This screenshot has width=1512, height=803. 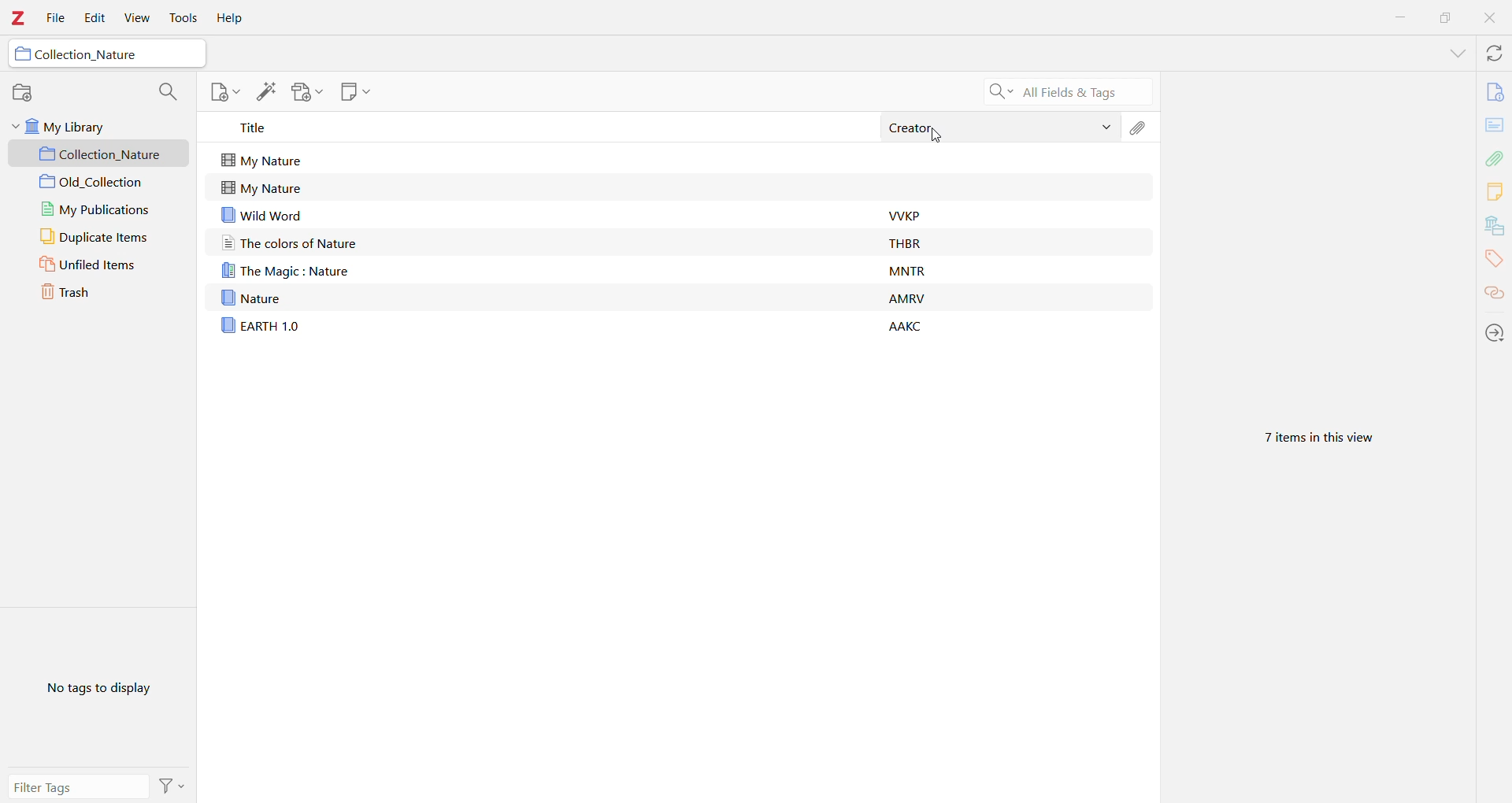 What do you see at coordinates (1456, 52) in the screenshot?
I see `List All Tabs` at bounding box center [1456, 52].